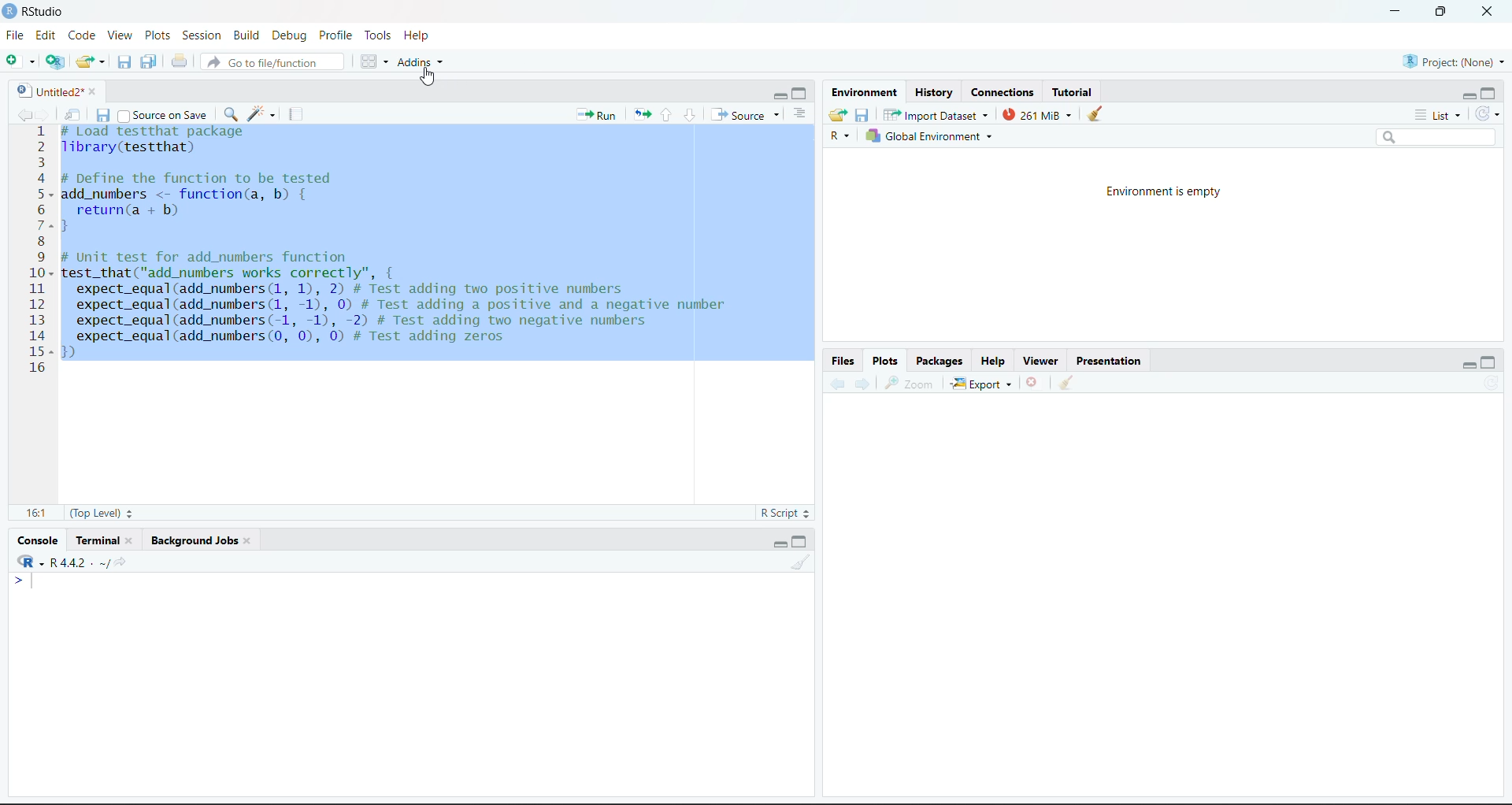  Describe the element at coordinates (162, 116) in the screenshot. I see `Source on save` at that location.